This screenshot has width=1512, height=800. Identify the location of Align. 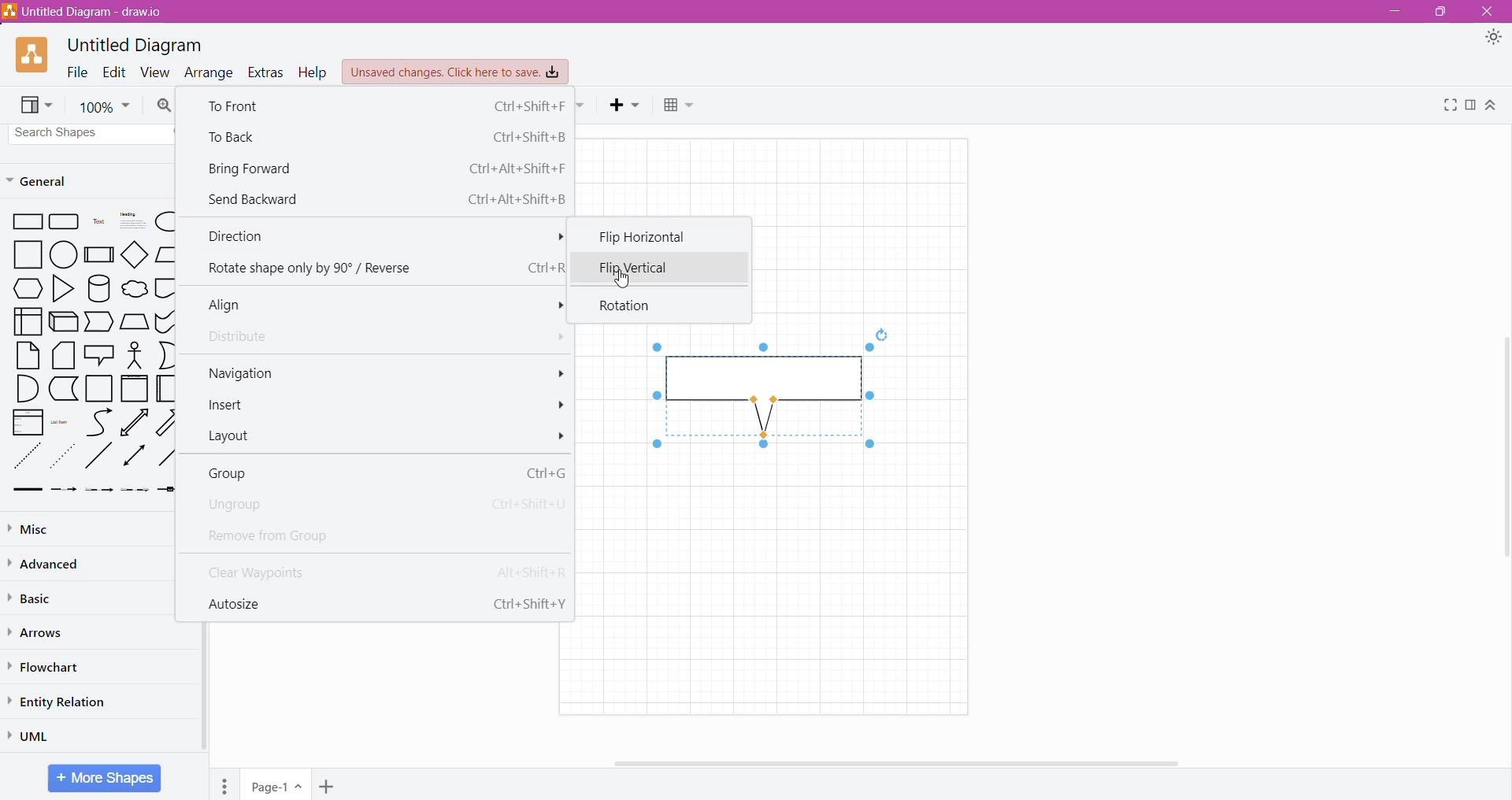
(234, 306).